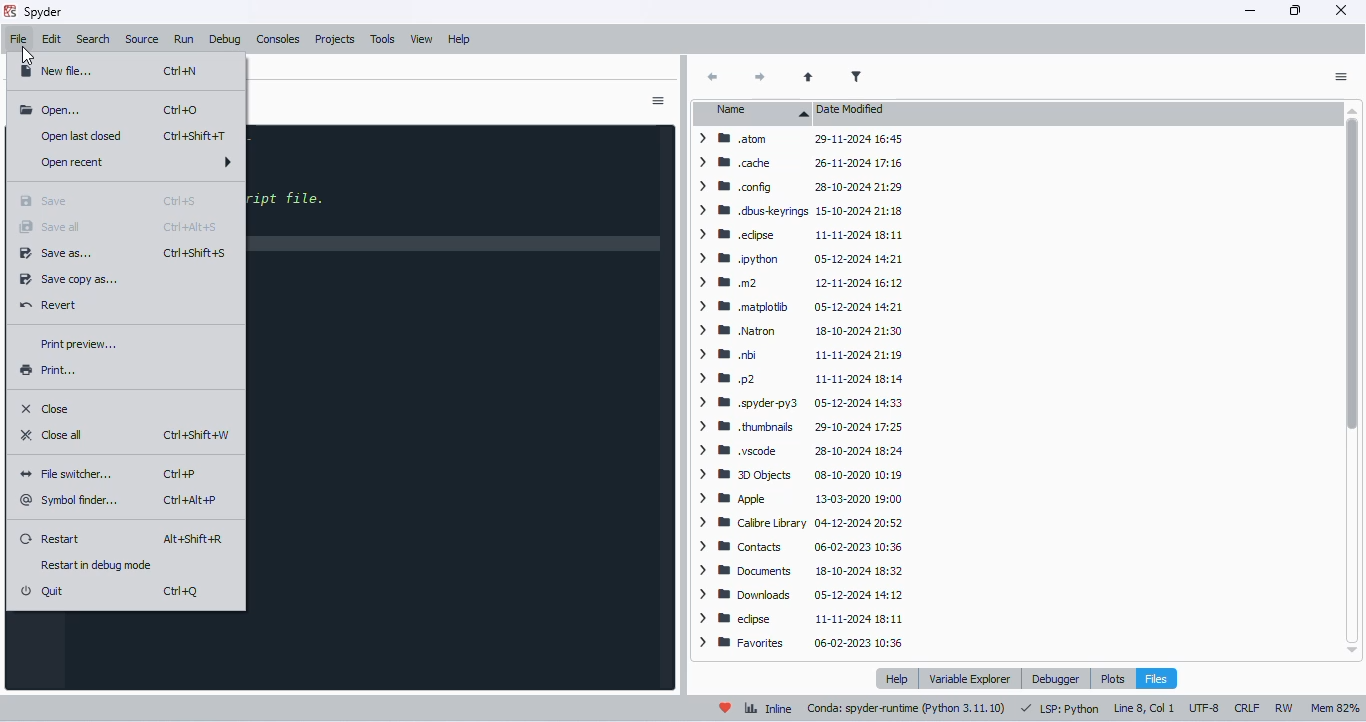  I want to click on print preview, so click(71, 343).